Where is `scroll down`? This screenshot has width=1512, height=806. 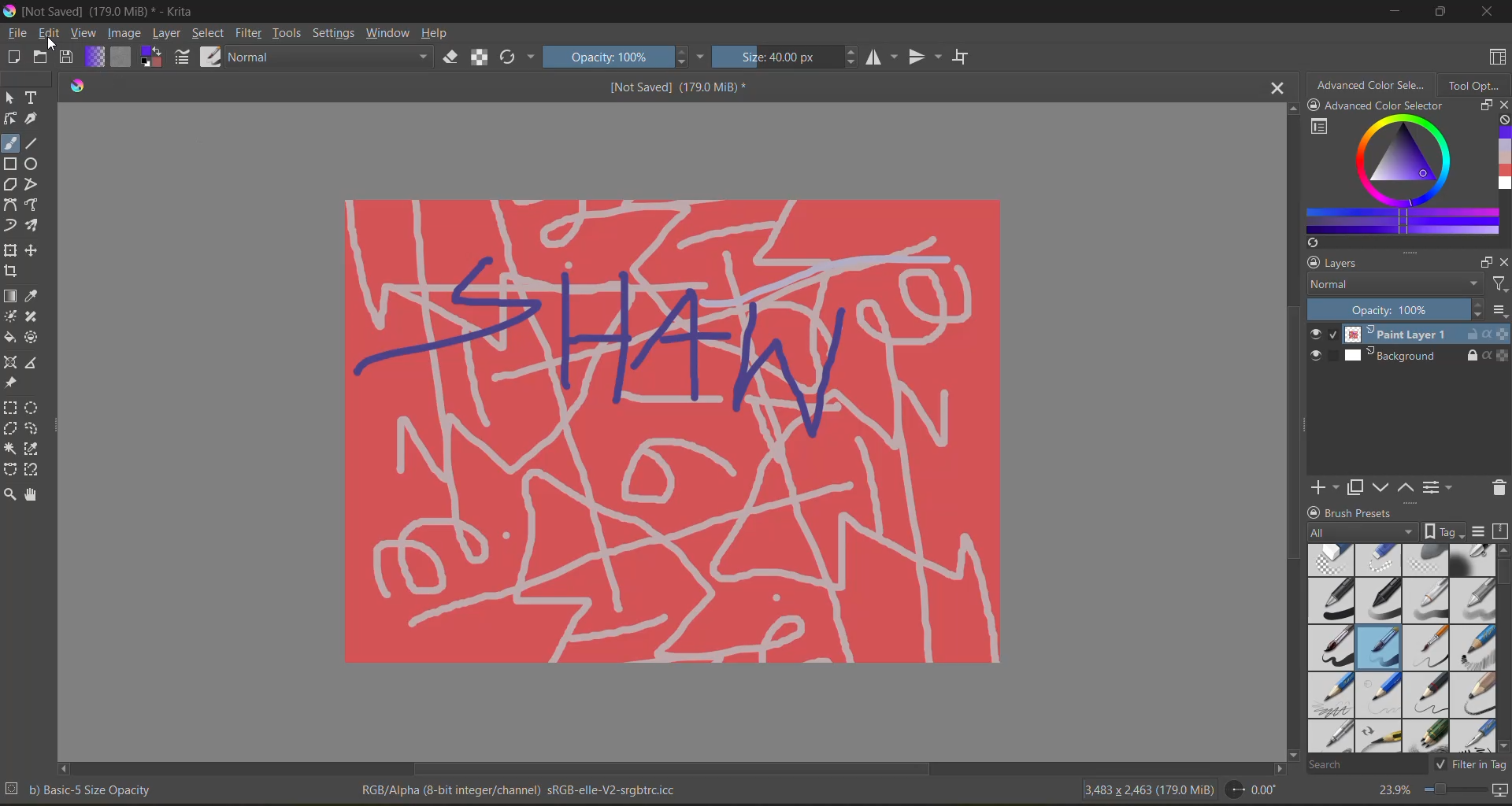
scroll down is located at coordinates (1288, 749).